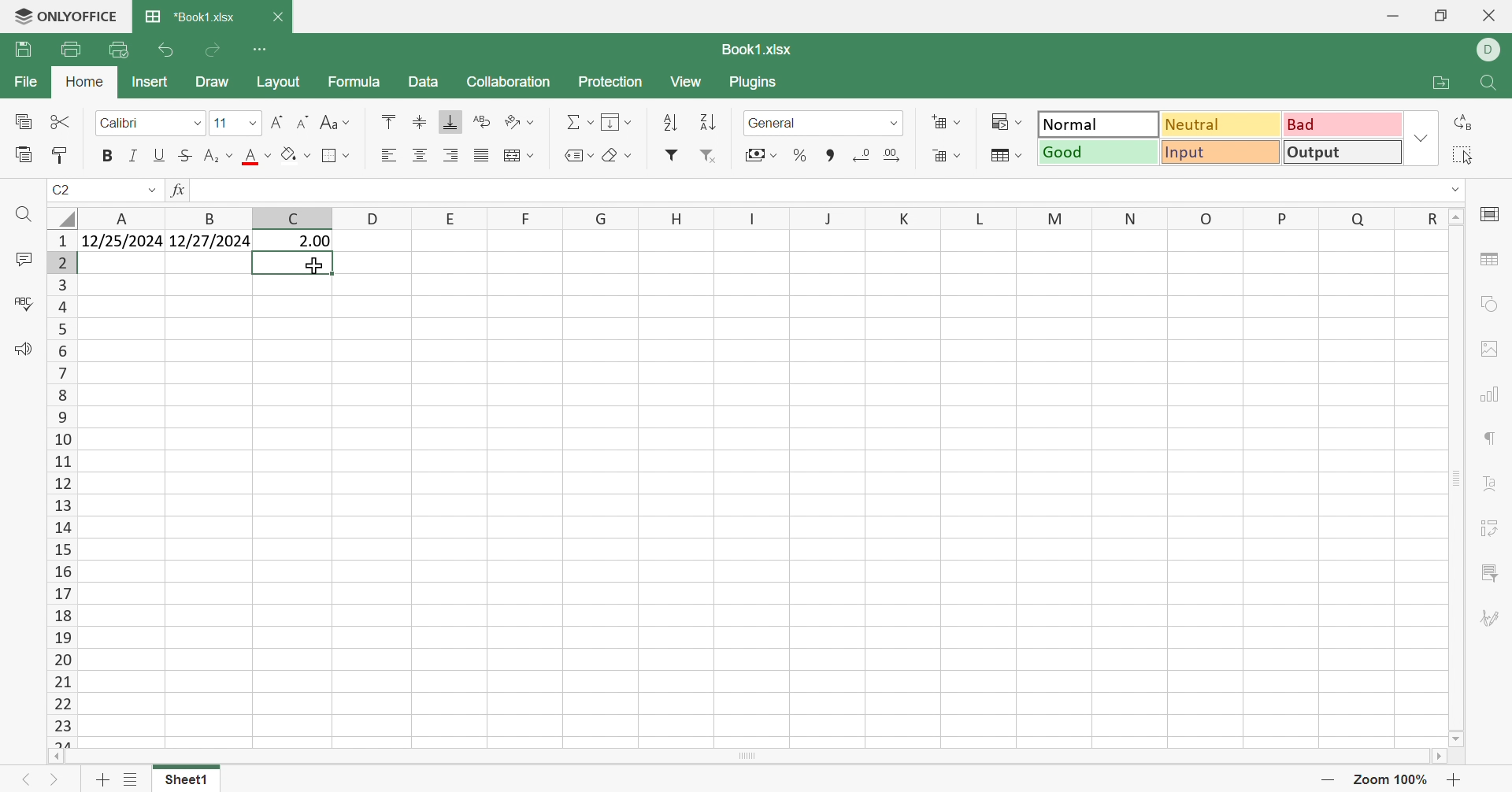 The width and height of the screenshot is (1512, 792). Describe the element at coordinates (480, 120) in the screenshot. I see `Wrap Text` at that location.